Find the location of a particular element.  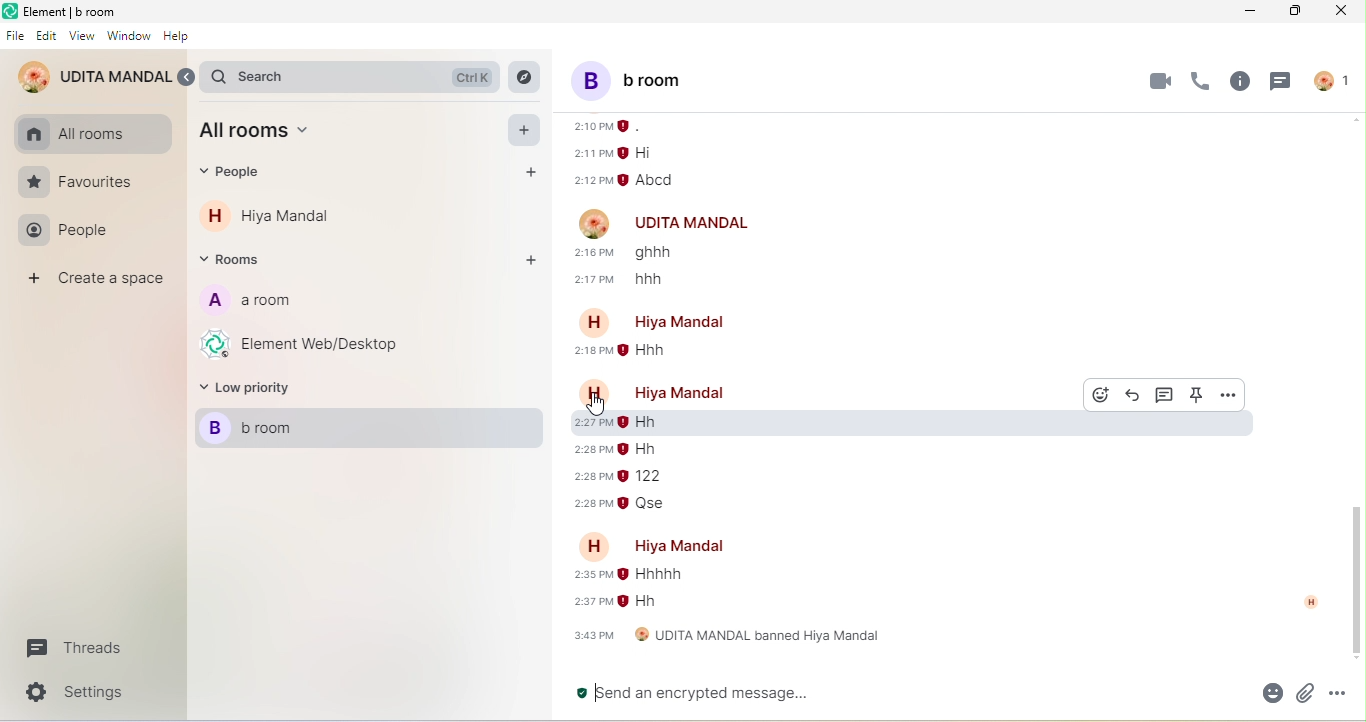

explore is located at coordinates (525, 78).